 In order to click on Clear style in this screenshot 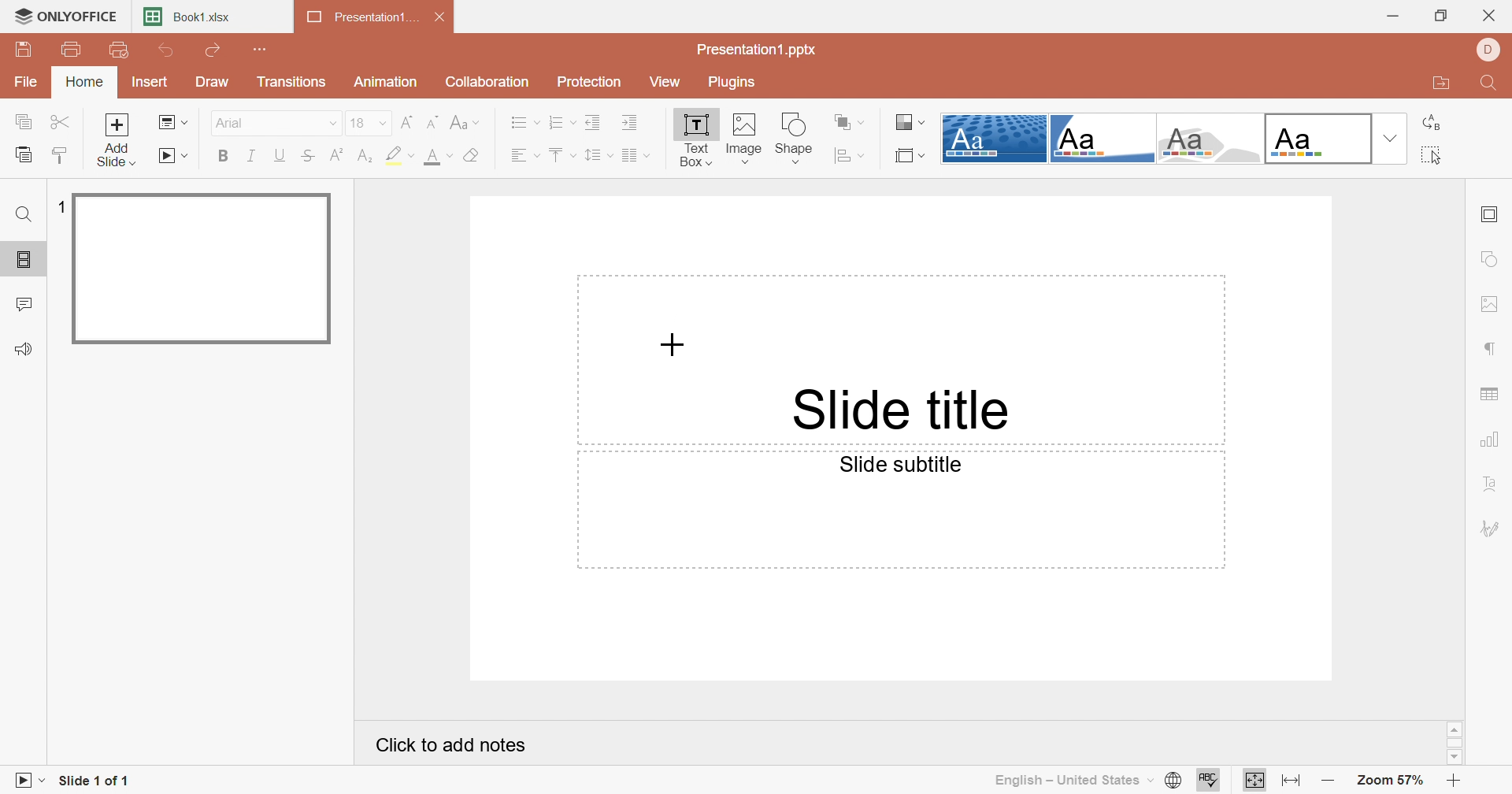, I will do `click(475, 156)`.